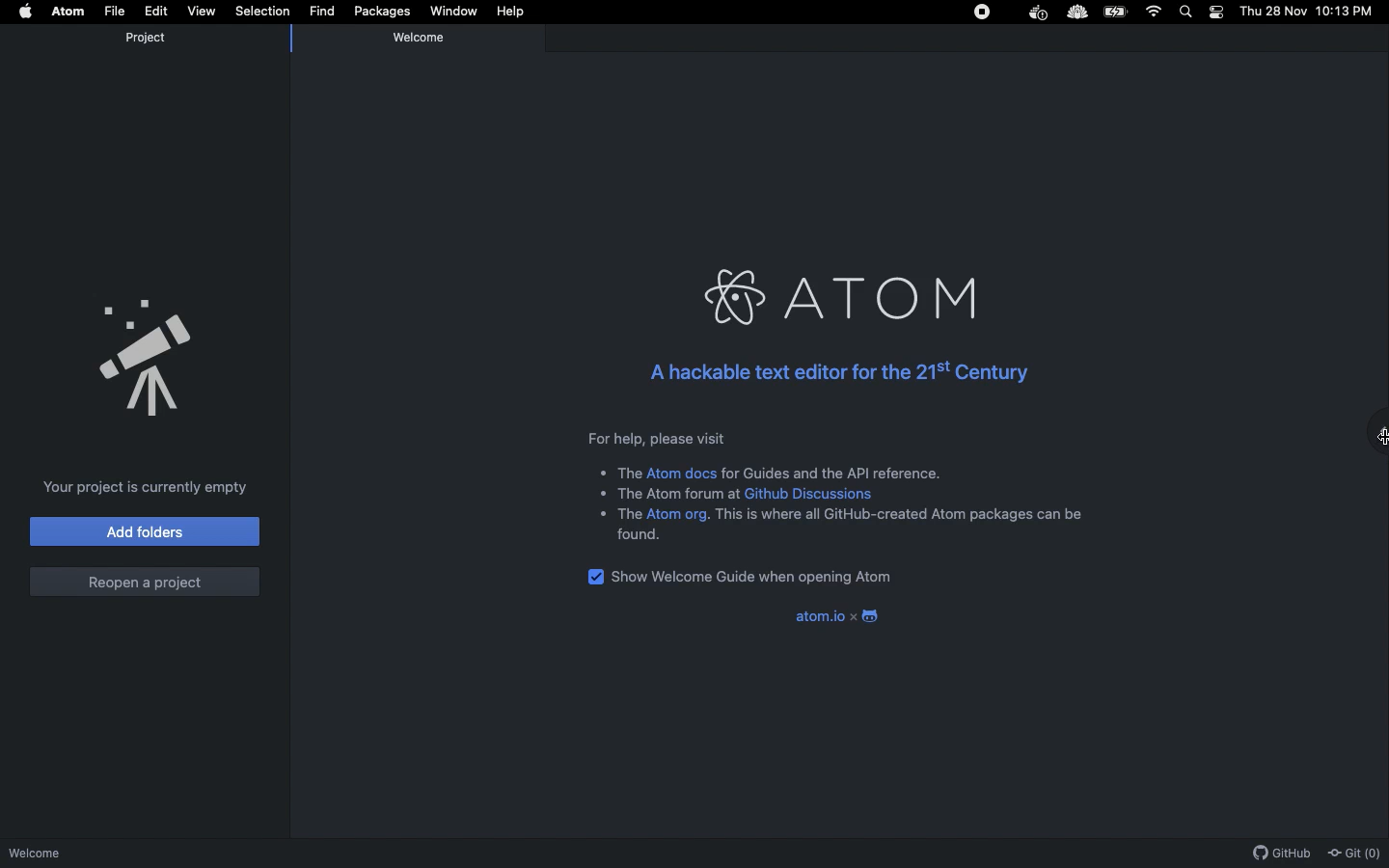 This screenshot has height=868, width=1389. What do you see at coordinates (150, 363) in the screenshot?
I see `Announcement Logo` at bounding box center [150, 363].